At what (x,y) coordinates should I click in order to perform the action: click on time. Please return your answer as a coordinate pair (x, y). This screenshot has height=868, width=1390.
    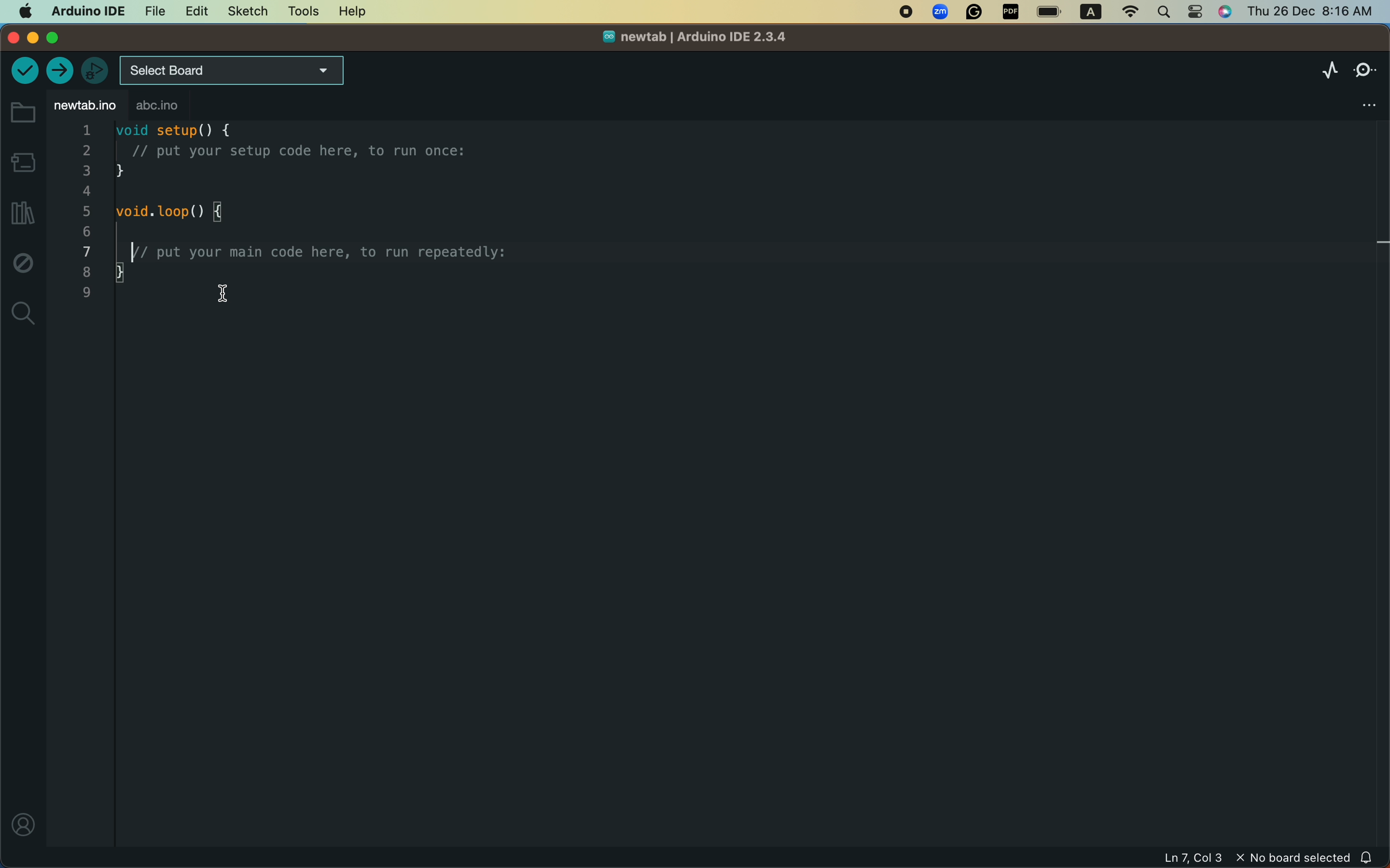
    Looking at the image, I should click on (1308, 10).